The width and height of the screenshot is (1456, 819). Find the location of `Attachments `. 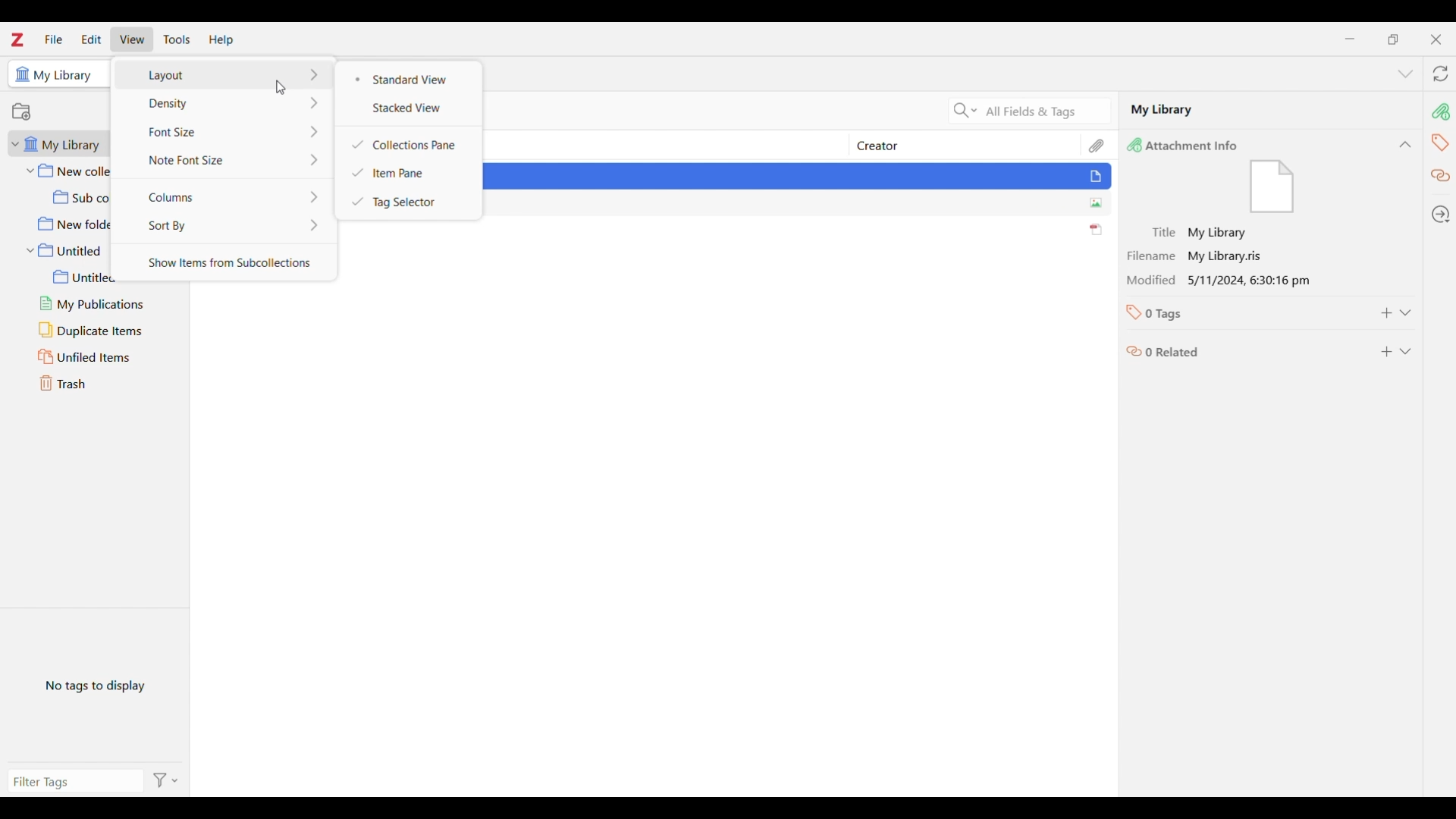

Attachments  is located at coordinates (1097, 144).